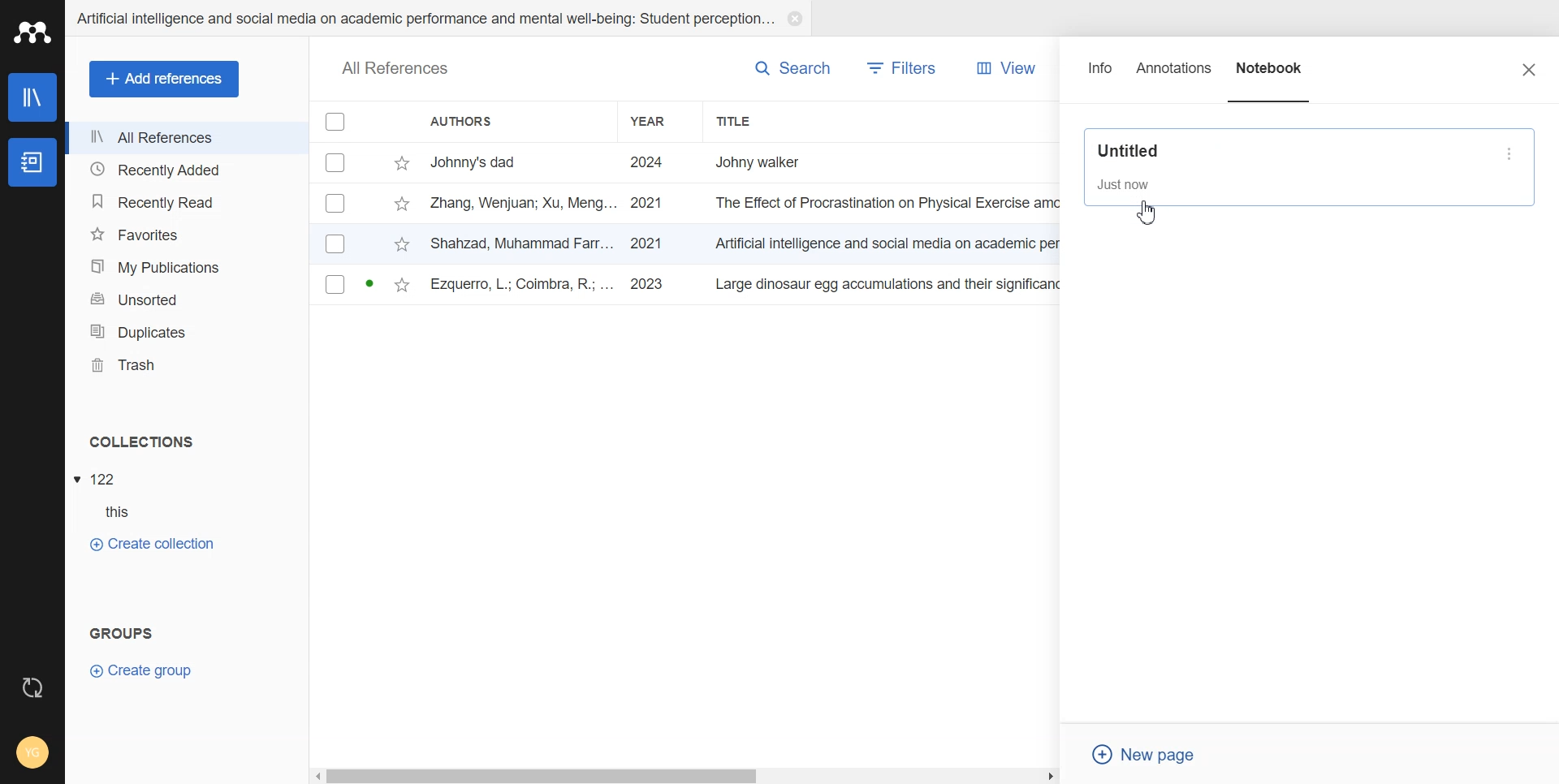 The height and width of the screenshot is (784, 1559). I want to click on Checkbox, so click(336, 243).